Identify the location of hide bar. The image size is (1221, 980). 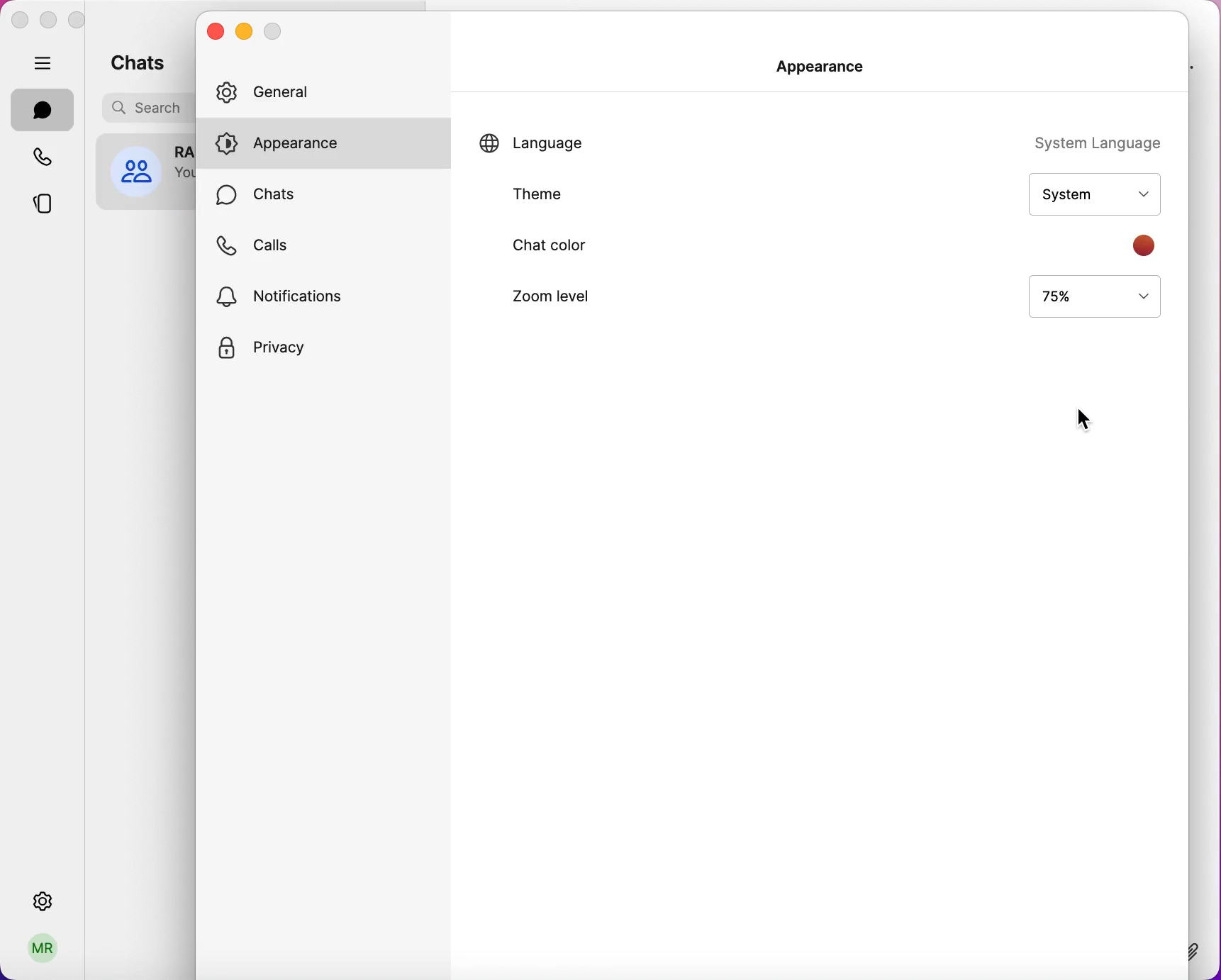
(46, 64).